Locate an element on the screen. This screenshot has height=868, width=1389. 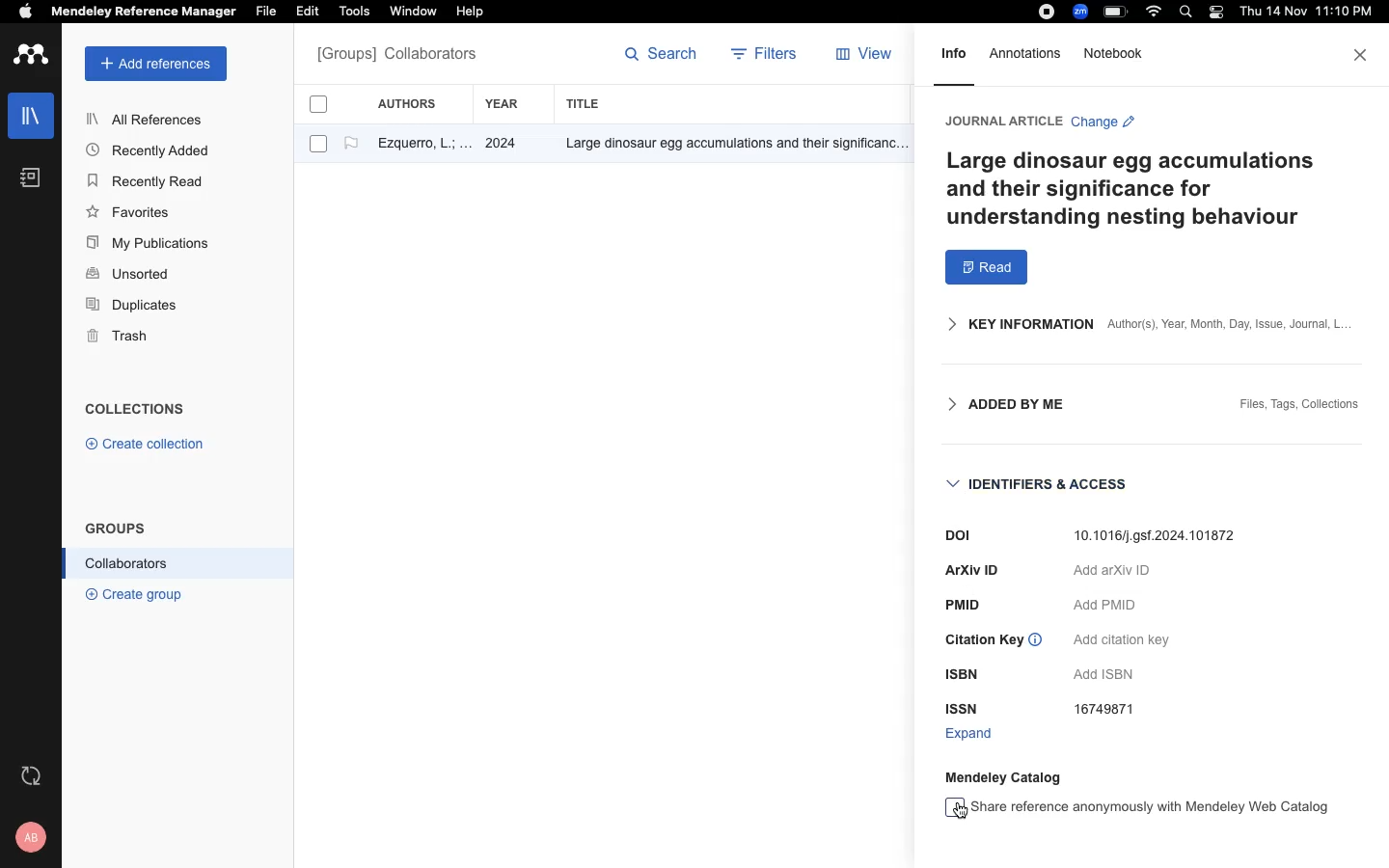
PMID is located at coordinates (967, 605).